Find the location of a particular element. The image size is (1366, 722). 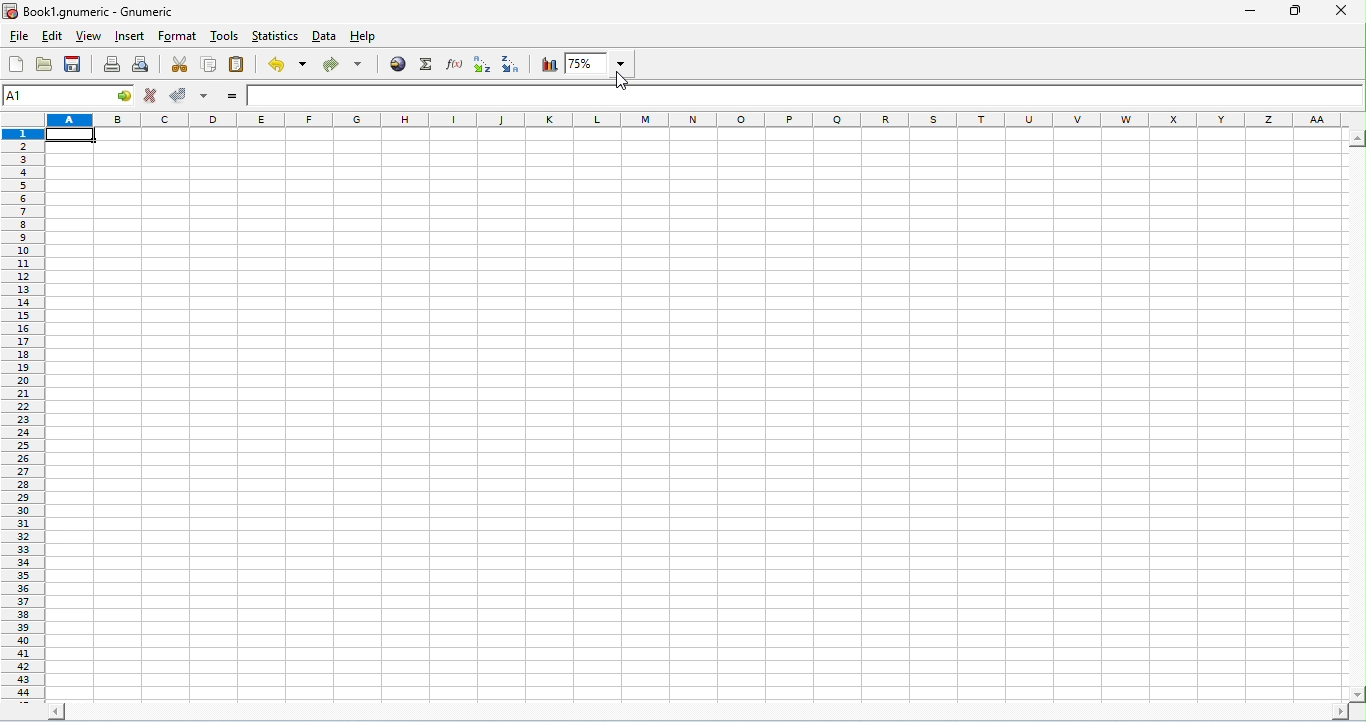

selected cell is located at coordinates (72, 136).